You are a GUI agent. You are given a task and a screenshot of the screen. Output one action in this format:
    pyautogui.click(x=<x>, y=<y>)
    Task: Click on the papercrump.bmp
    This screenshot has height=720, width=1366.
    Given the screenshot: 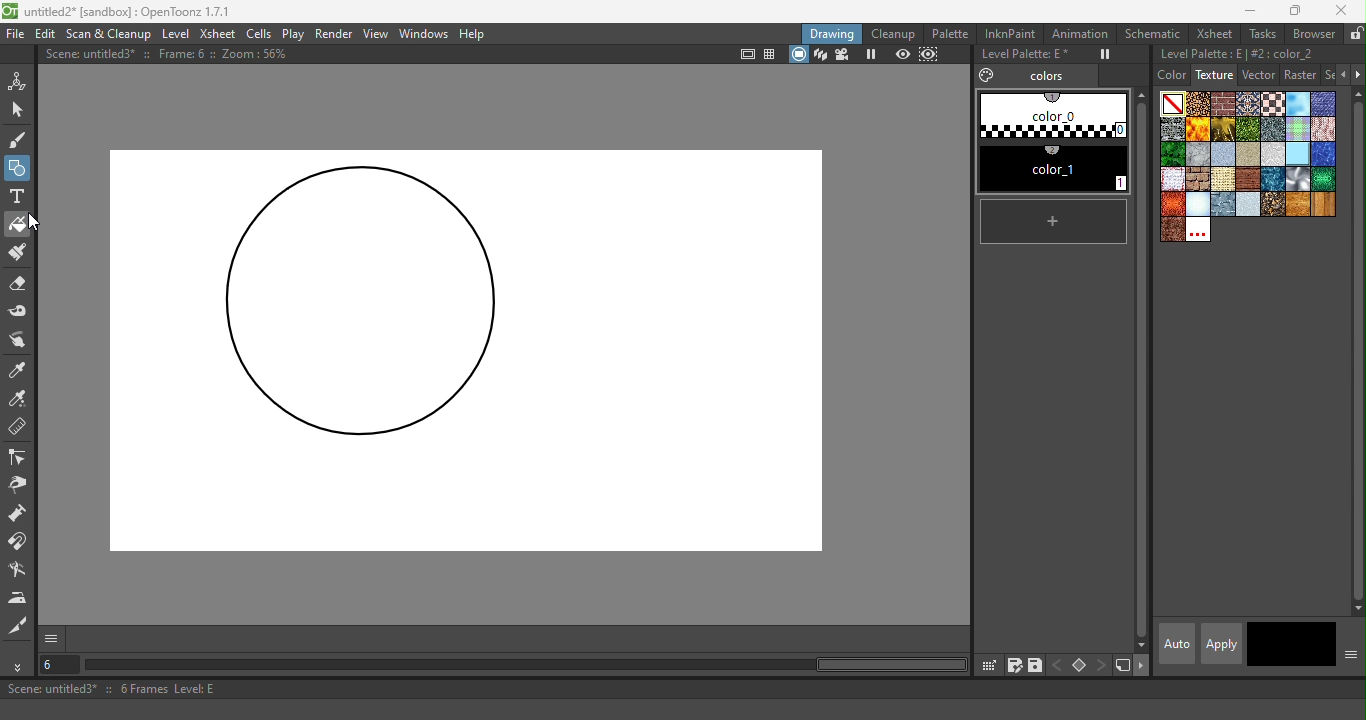 What is the action you would take?
    pyautogui.click(x=1273, y=153)
    